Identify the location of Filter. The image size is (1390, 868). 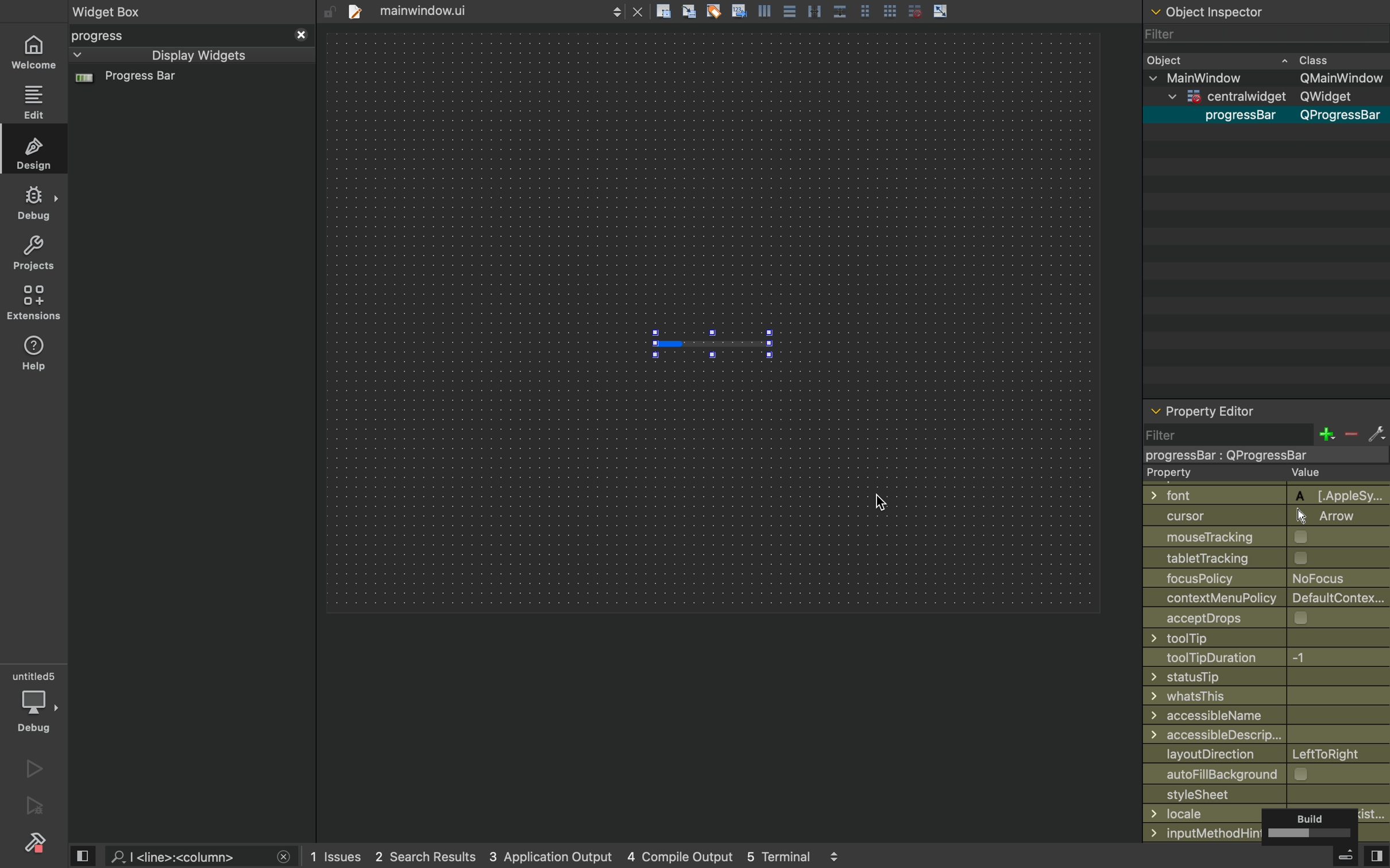
(1169, 34).